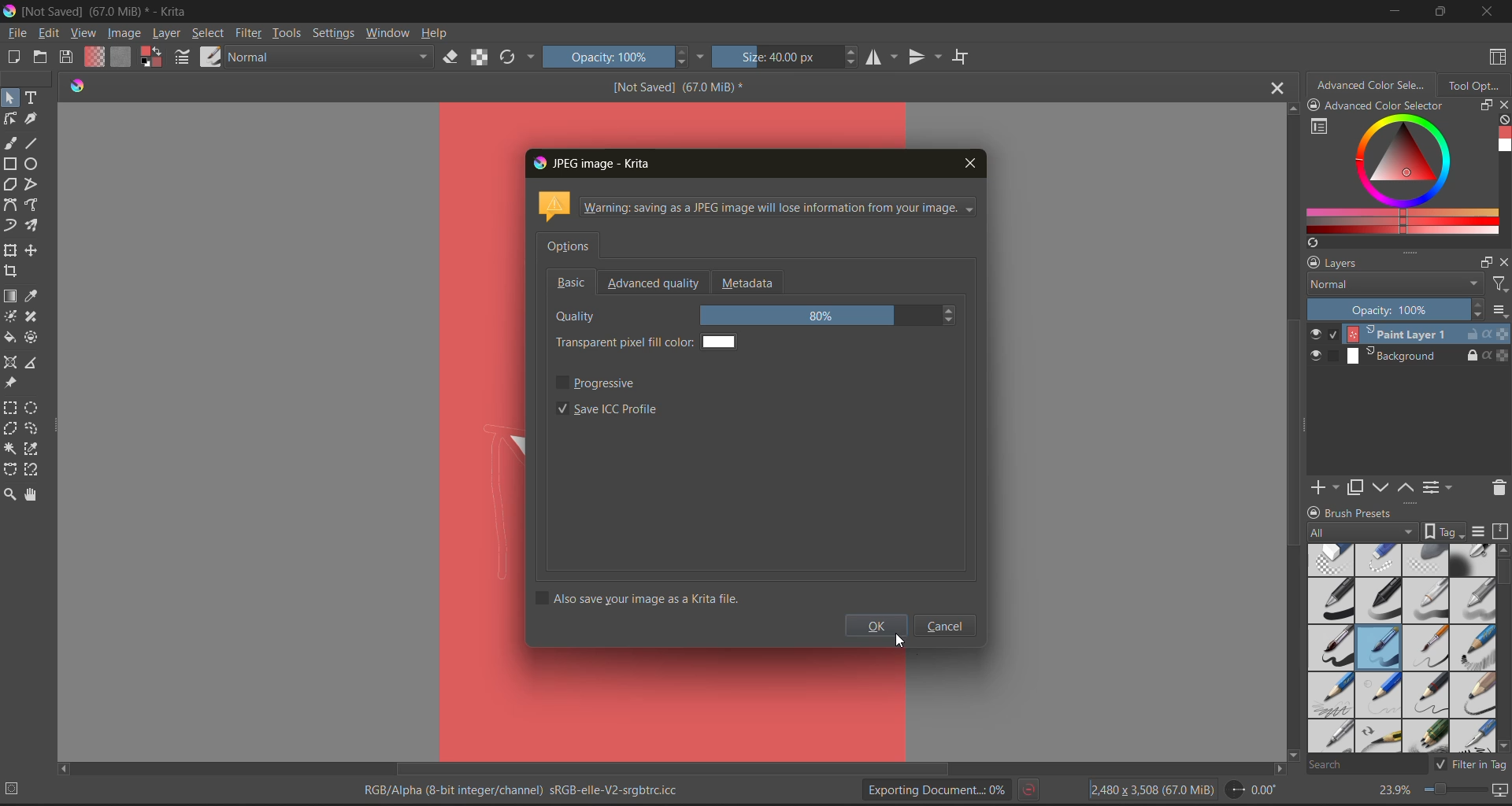 This screenshot has height=806, width=1512. What do you see at coordinates (1499, 792) in the screenshot?
I see `map the canvas` at bounding box center [1499, 792].